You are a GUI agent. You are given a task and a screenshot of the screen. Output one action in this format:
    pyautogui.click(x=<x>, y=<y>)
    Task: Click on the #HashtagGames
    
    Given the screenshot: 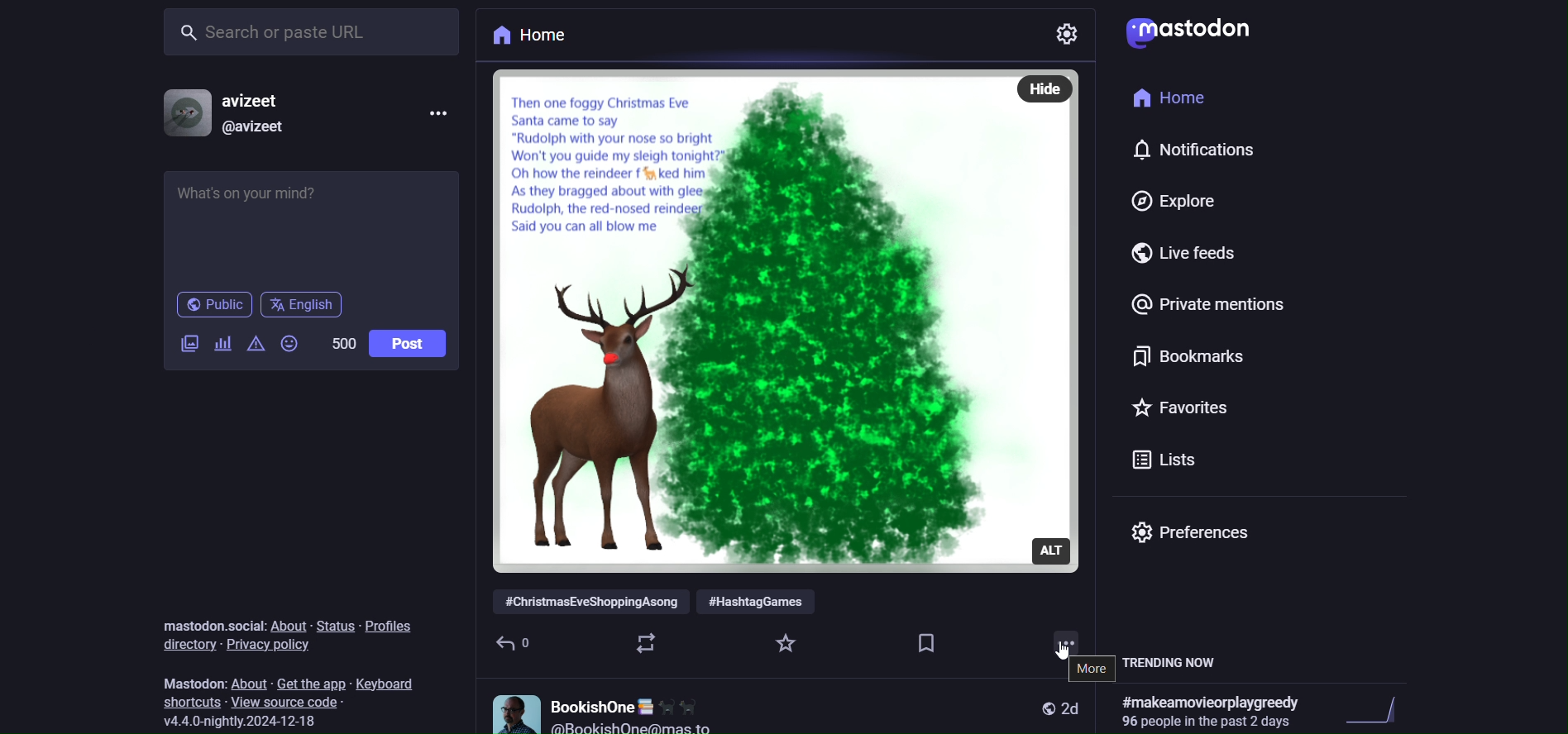 What is the action you would take?
    pyautogui.click(x=762, y=600)
    